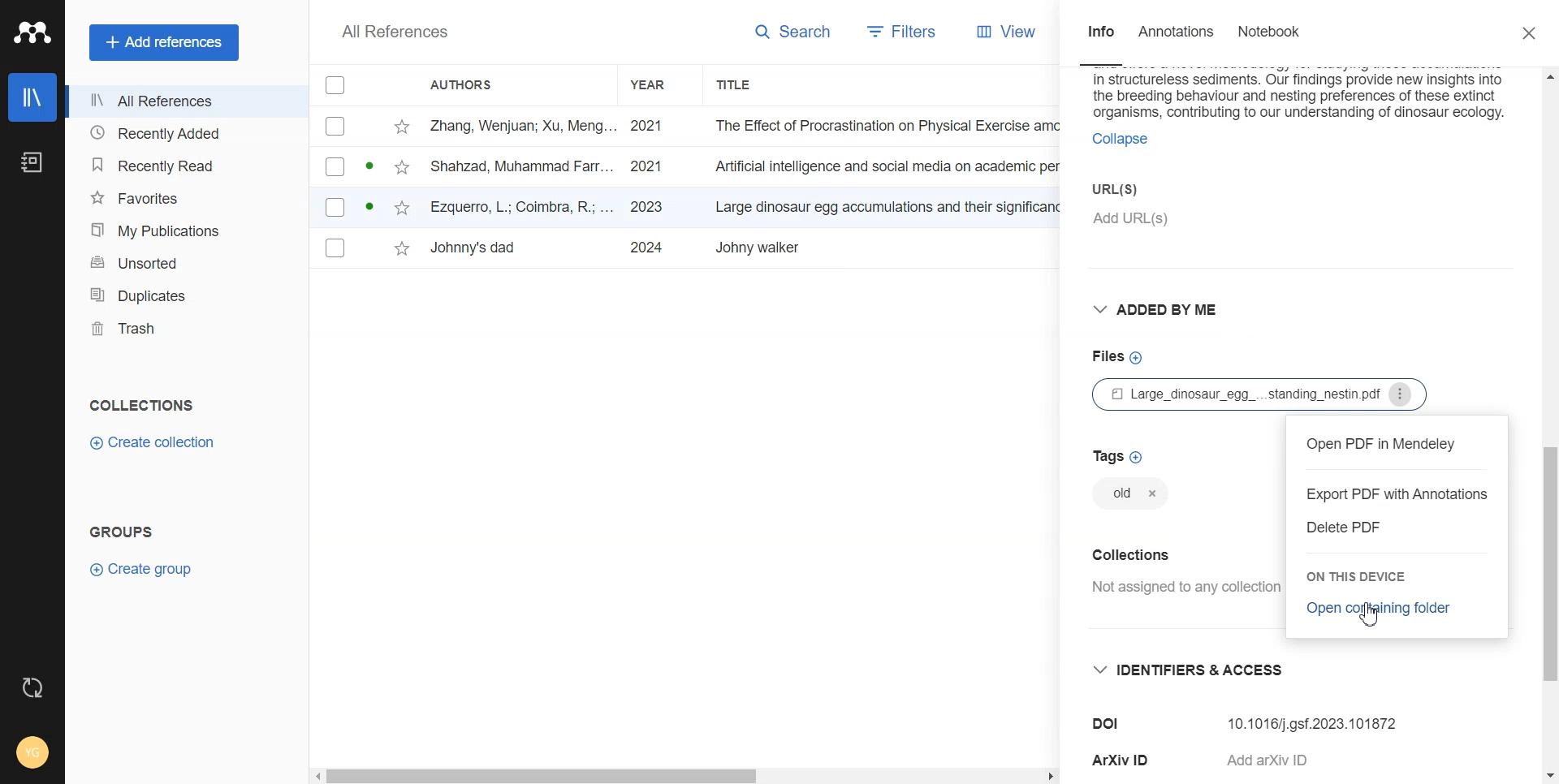 This screenshot has width=1559, height=784. What do you see at coordinates (1134, 553) in the screenshot?
I see `Collections` at bounding box center [1134, 553].